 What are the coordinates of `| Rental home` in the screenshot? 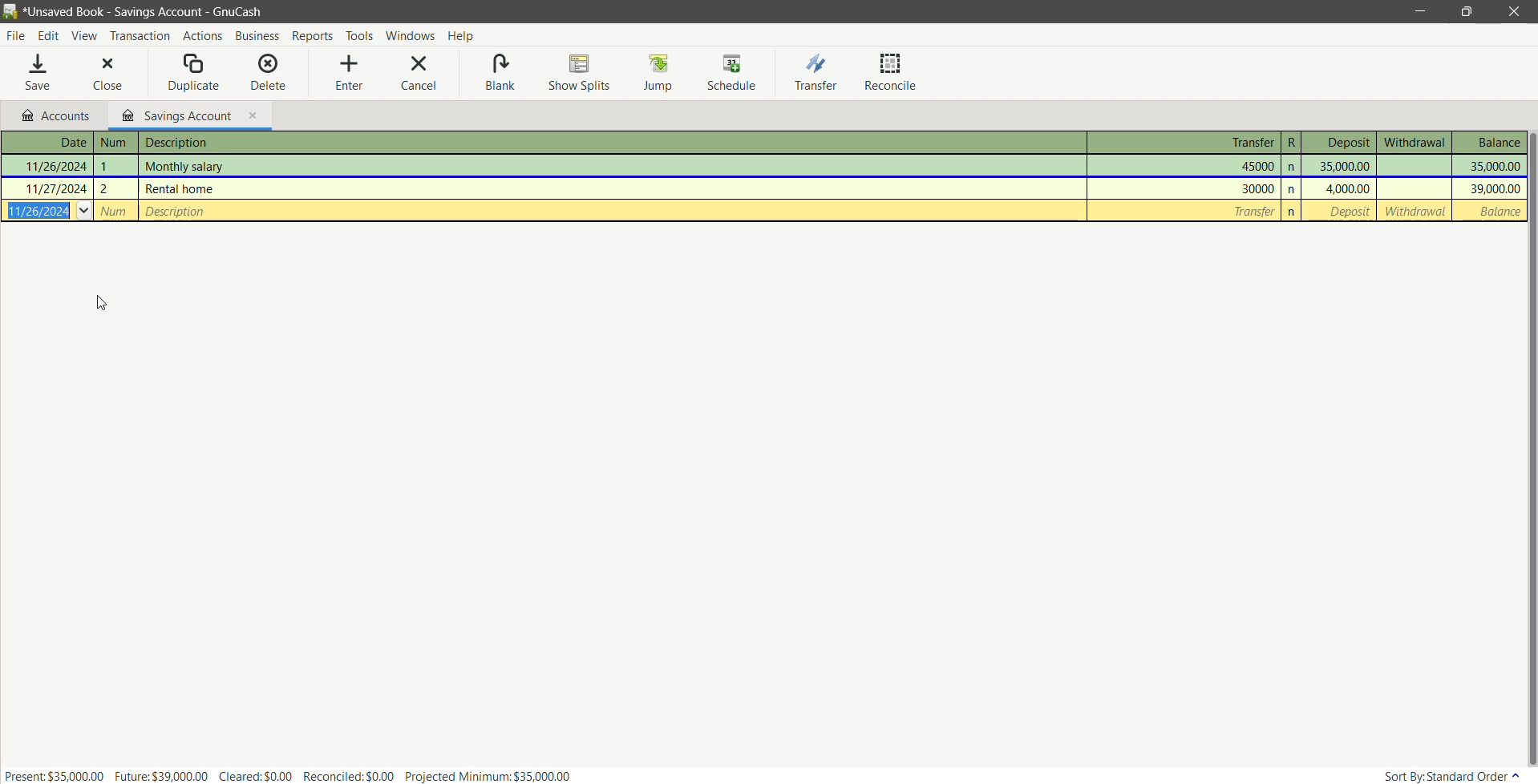 It's located at (607, 189).